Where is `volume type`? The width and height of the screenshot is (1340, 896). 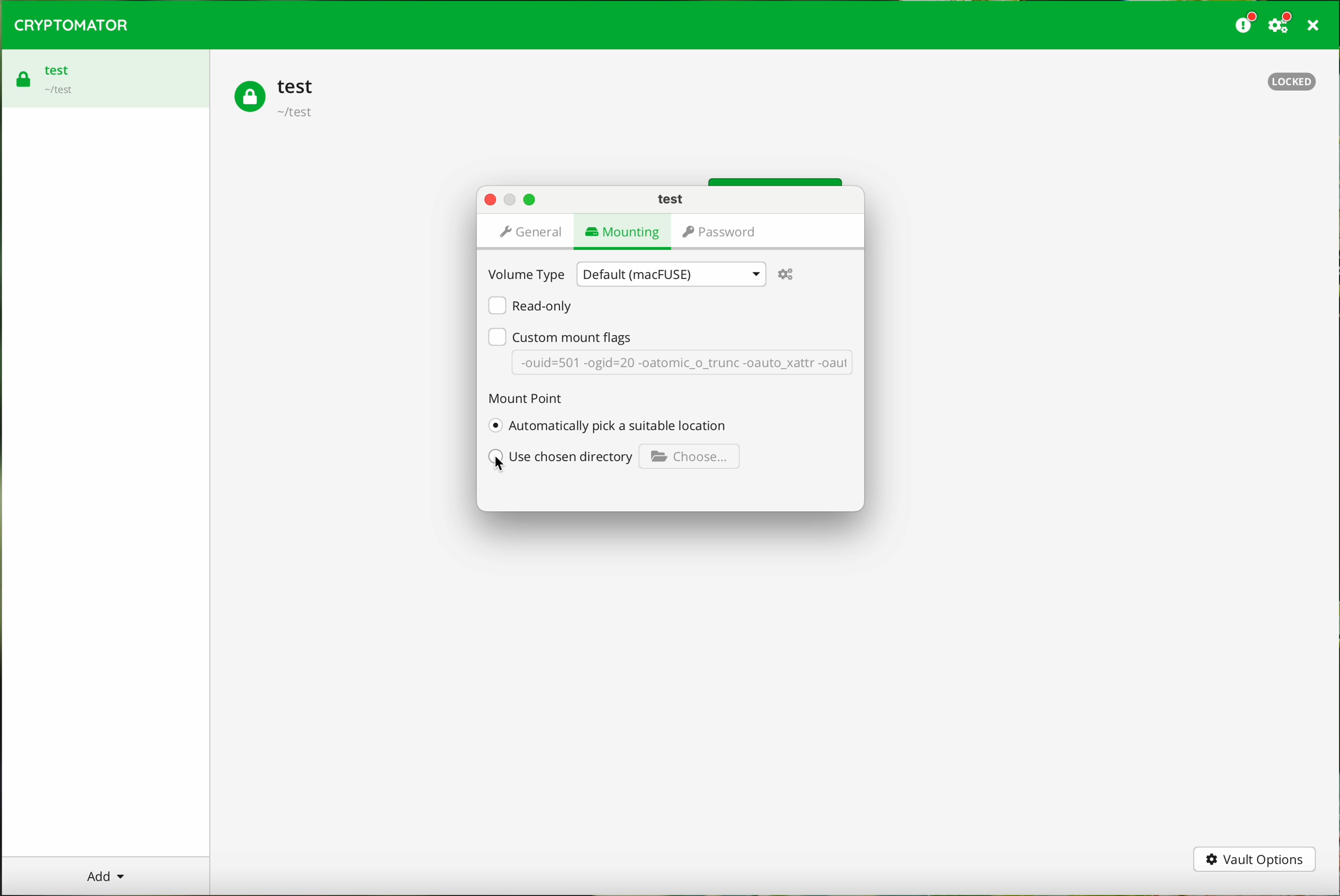
volume type is located at coordinates (526, 274).